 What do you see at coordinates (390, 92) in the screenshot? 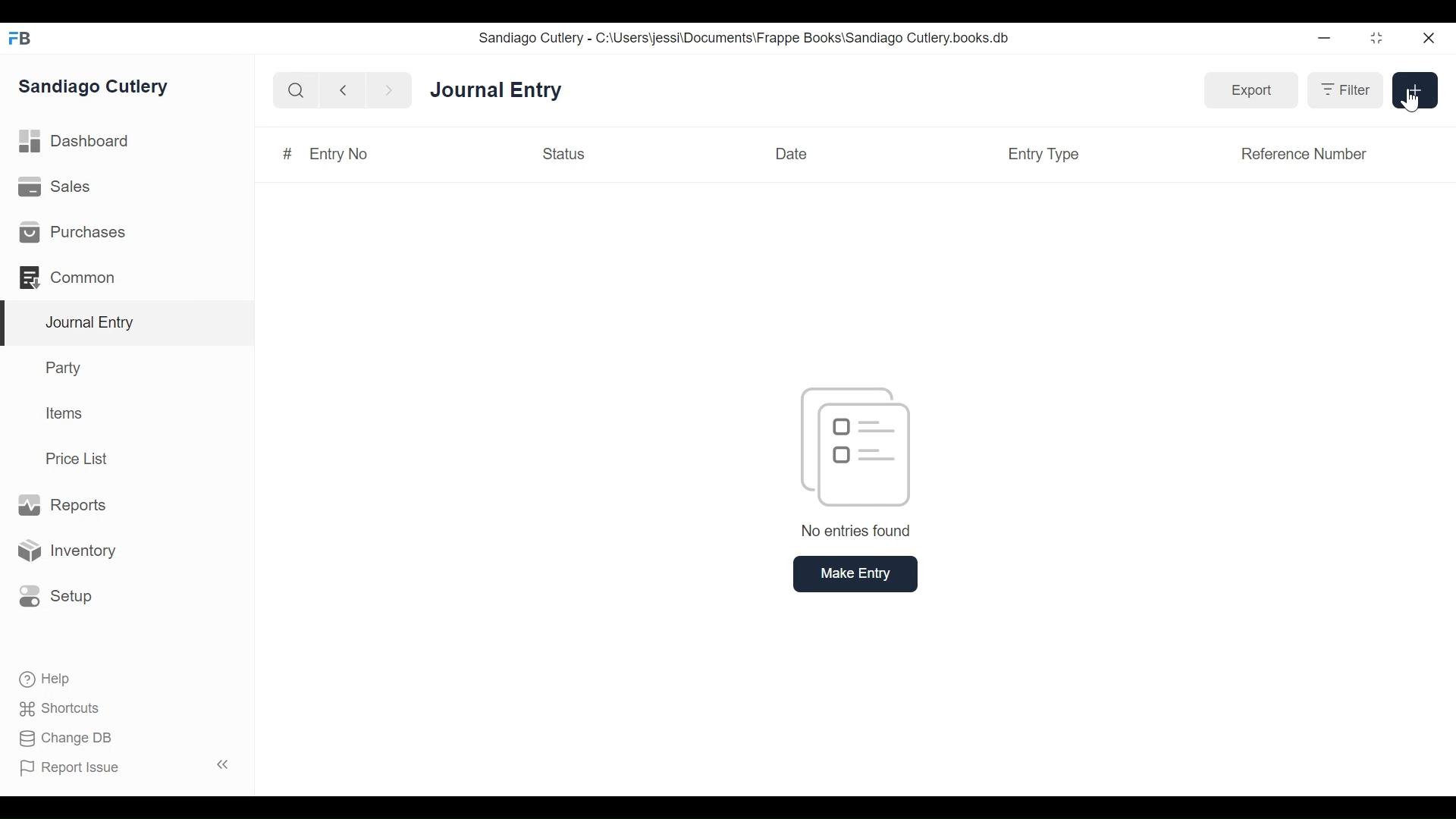
I see `Navigate Forward` at bounding box center [390, 92].